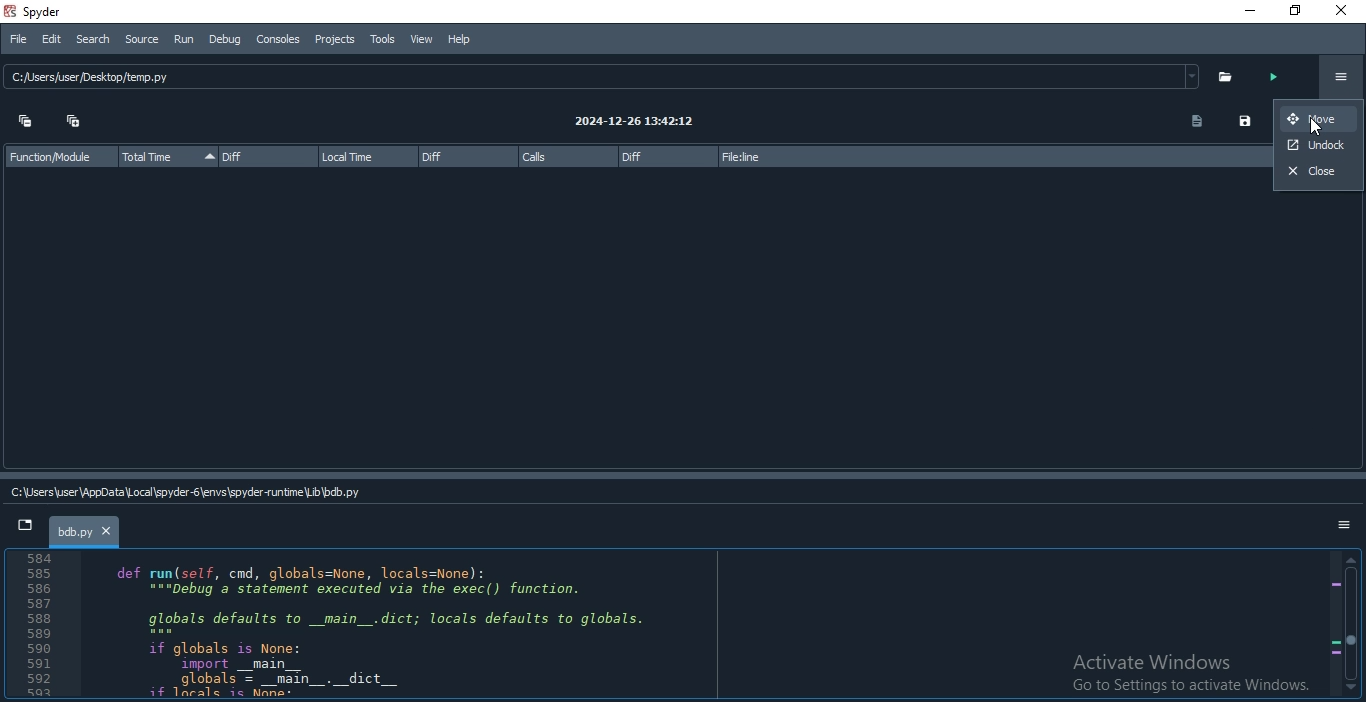  What do you see at coordinates (1341, 76) in the screenshot?
I see `options` at bounding box center [1341, 76].